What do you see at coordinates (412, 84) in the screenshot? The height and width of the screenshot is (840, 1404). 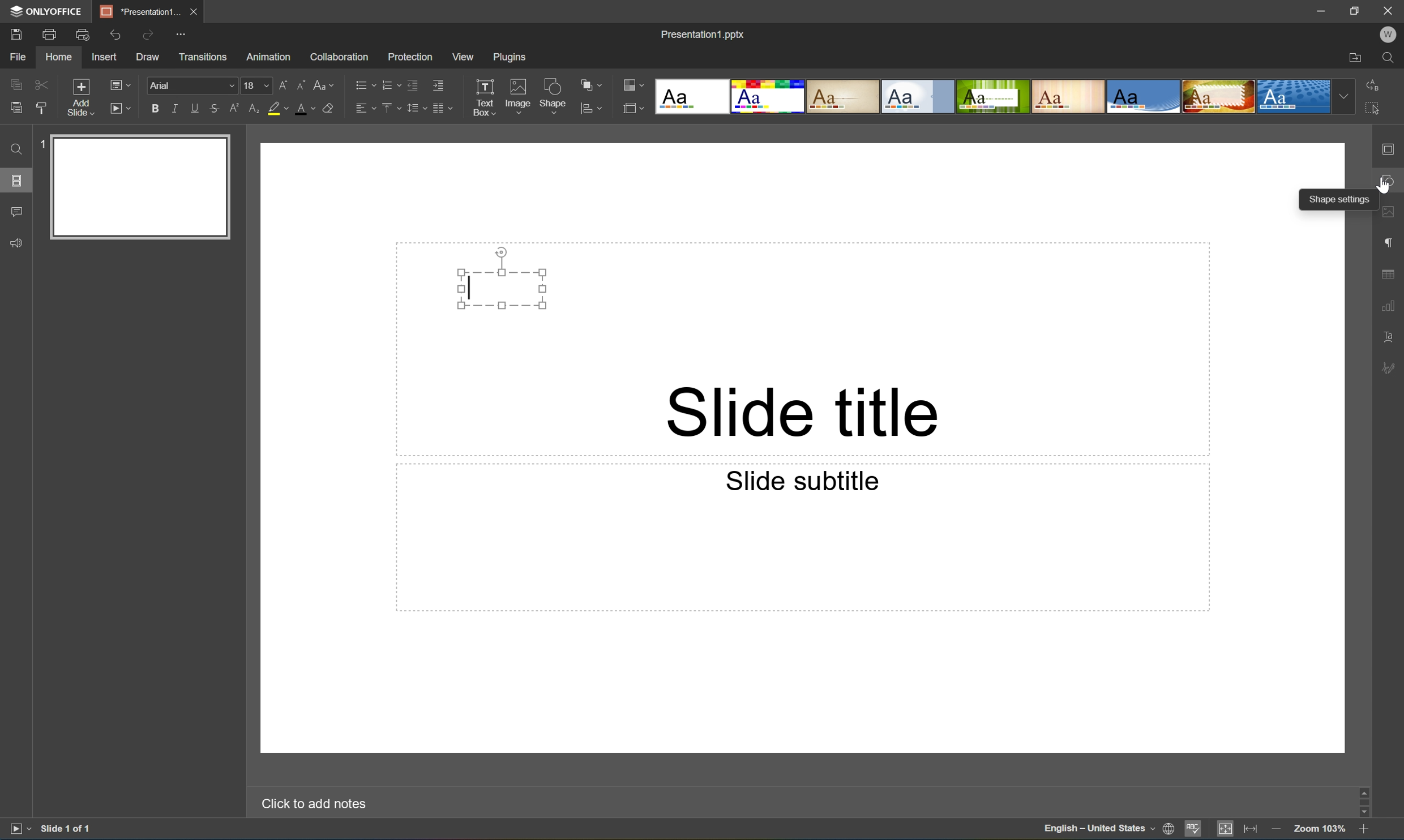 I see `Decrease indent` at bounding box center [412, 84].